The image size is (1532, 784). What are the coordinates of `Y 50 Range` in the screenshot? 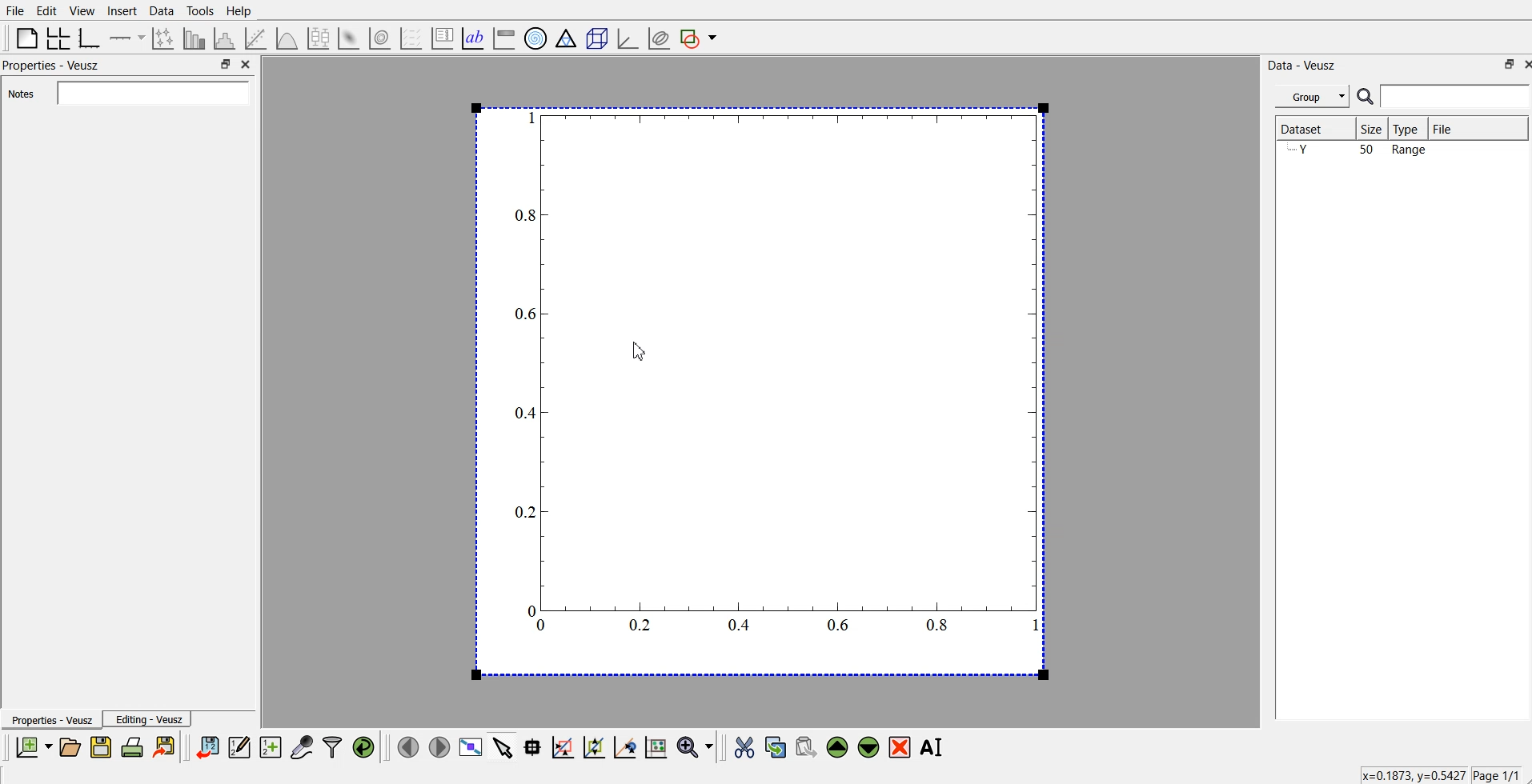 It's located at (1358, 150).